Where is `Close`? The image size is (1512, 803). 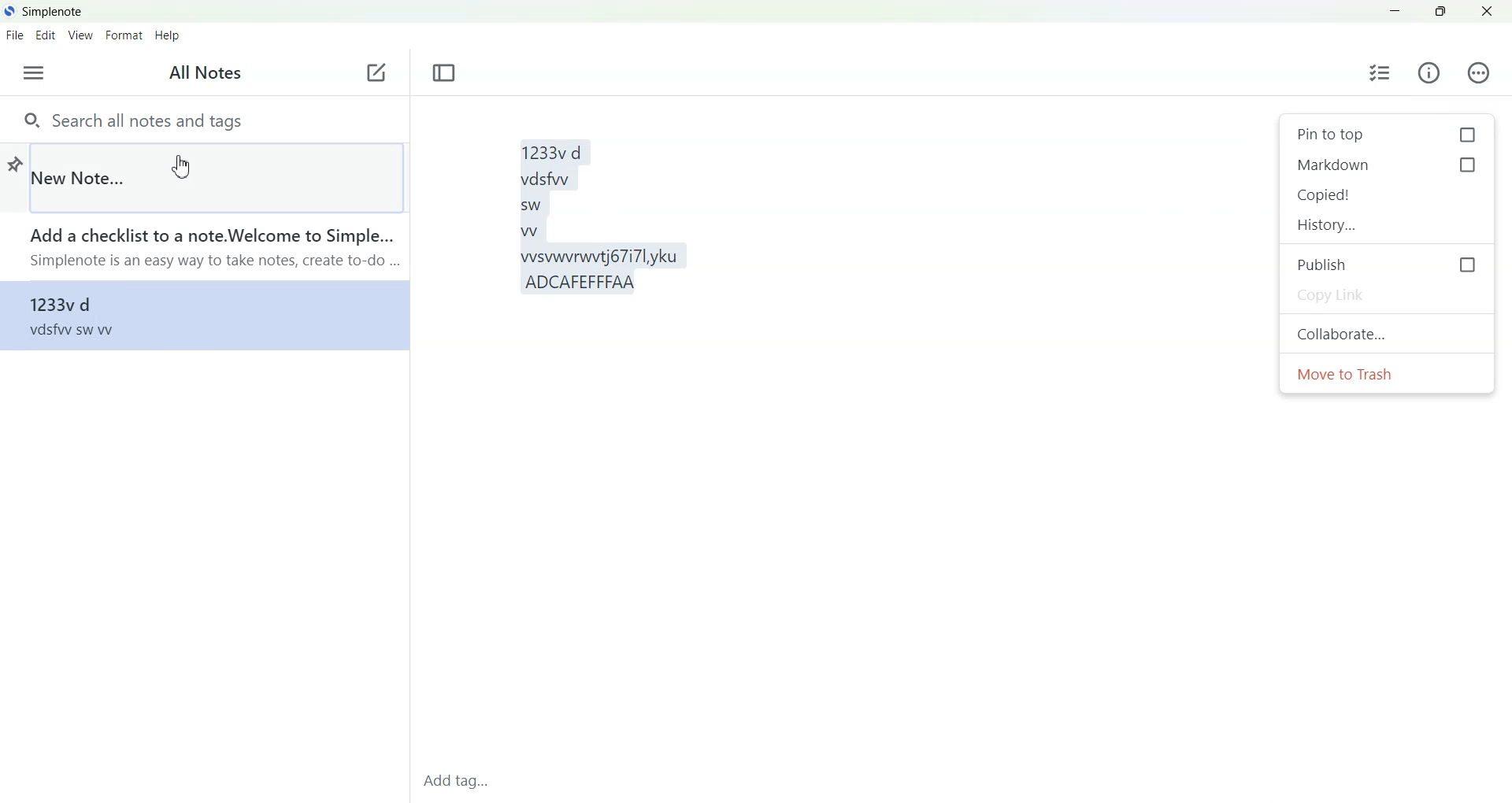 Close is located at coordinates (1487, 12).